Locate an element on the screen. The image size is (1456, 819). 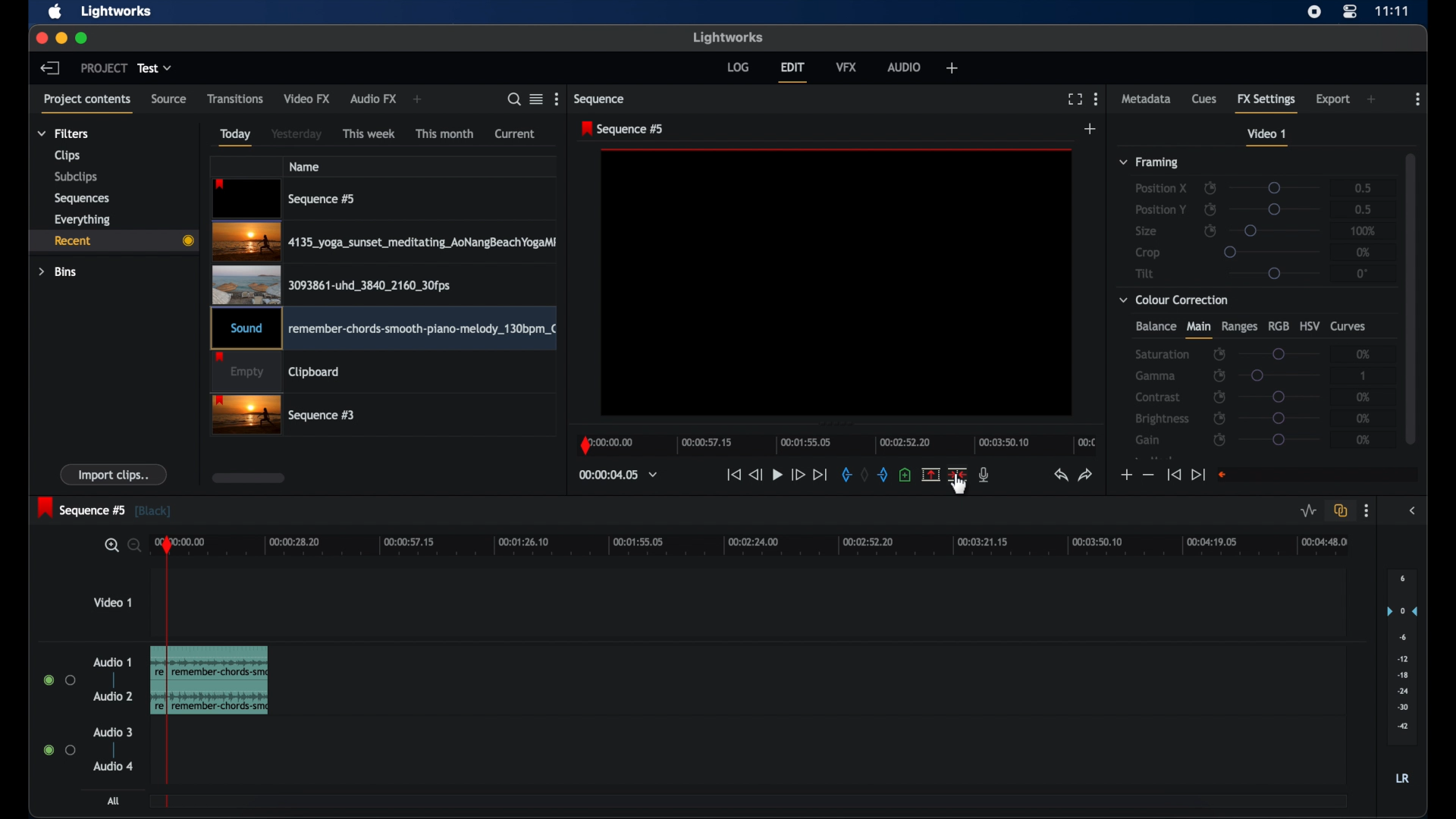
toggle auto track sync is located at coordinates (1341, 510).